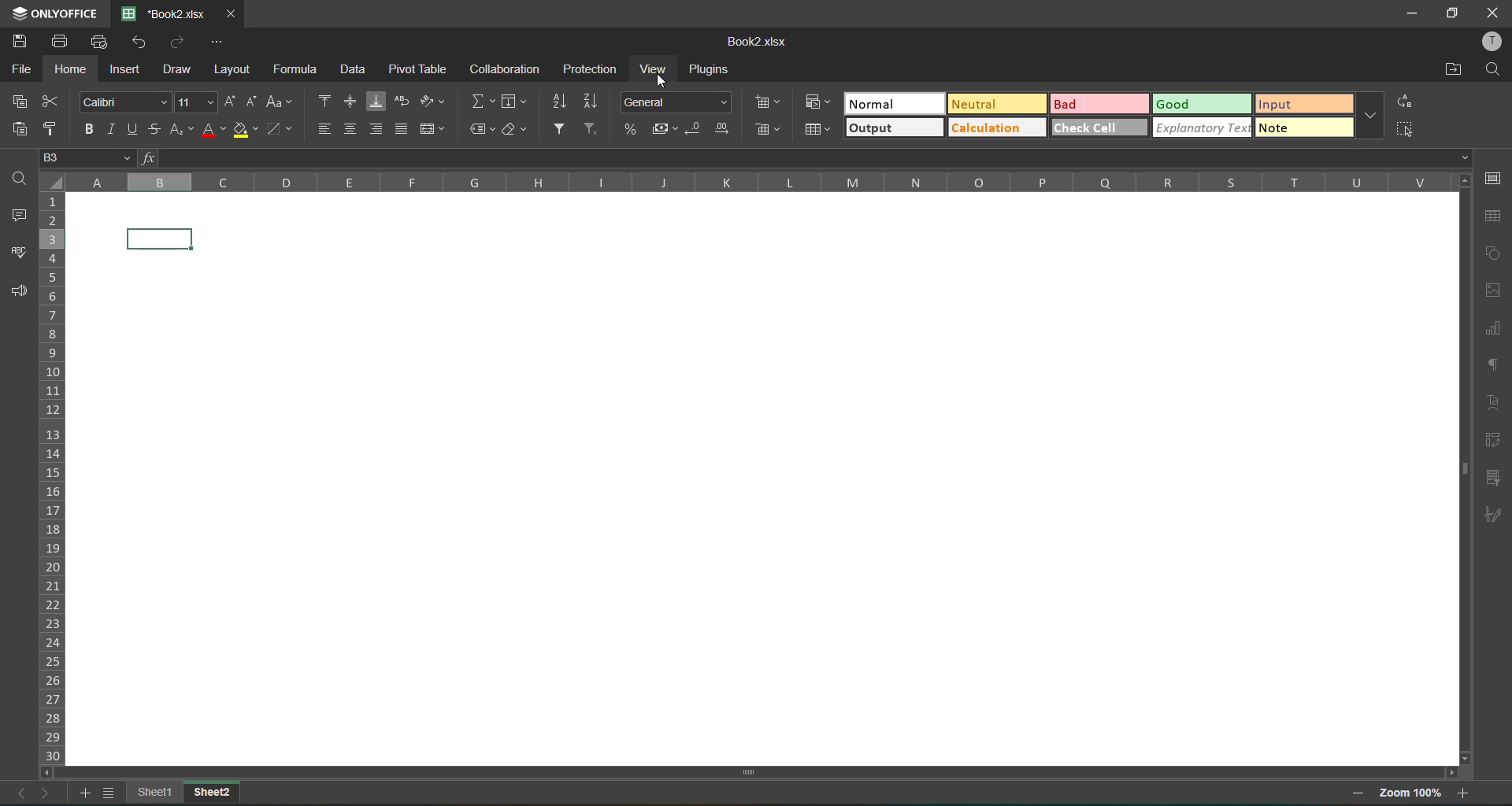  Describe the element at coordinates (753, 43) in the screenshot. I see `book2.xlsx` at that location.